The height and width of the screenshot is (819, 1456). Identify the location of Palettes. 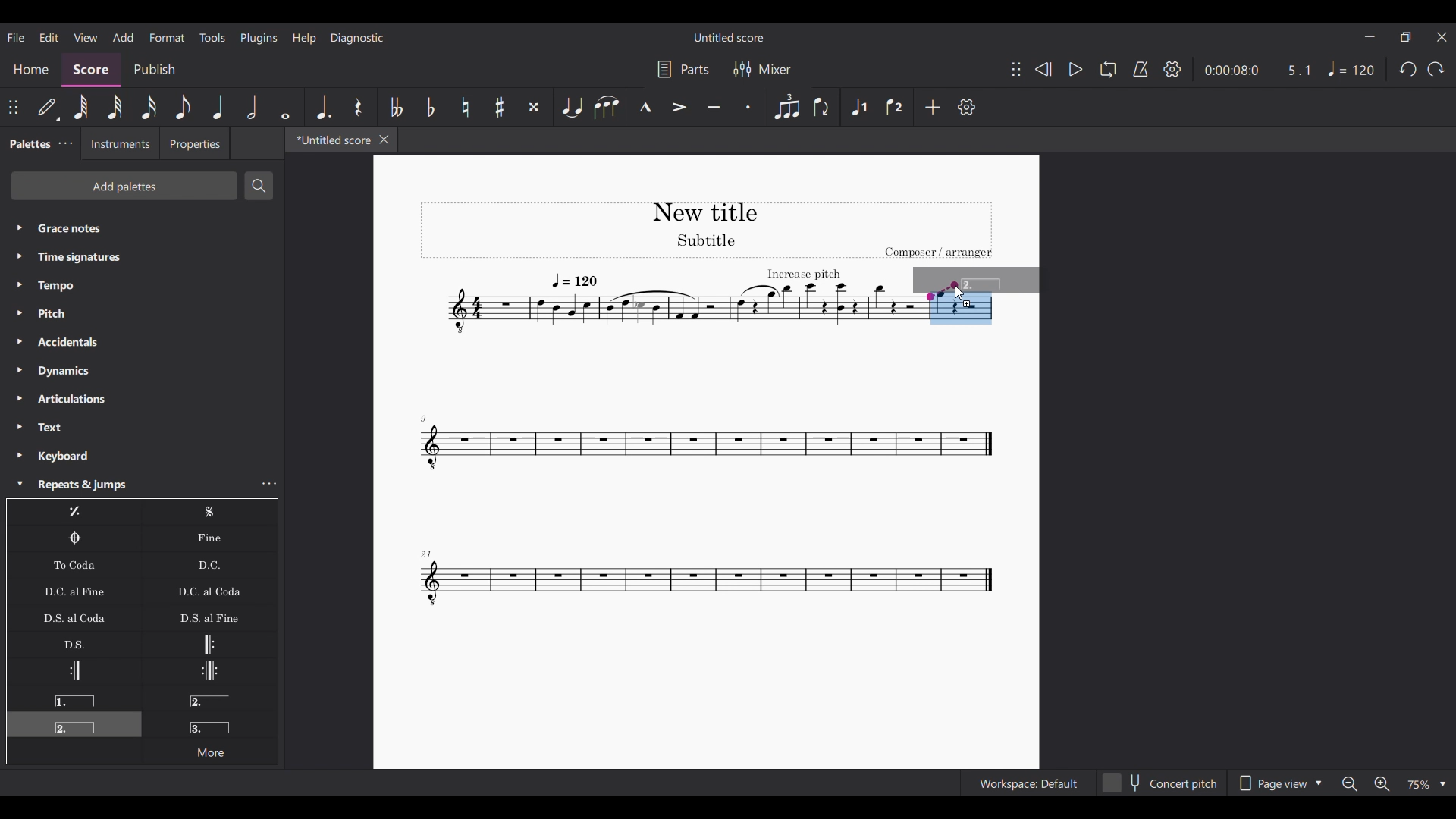
(28, 144).